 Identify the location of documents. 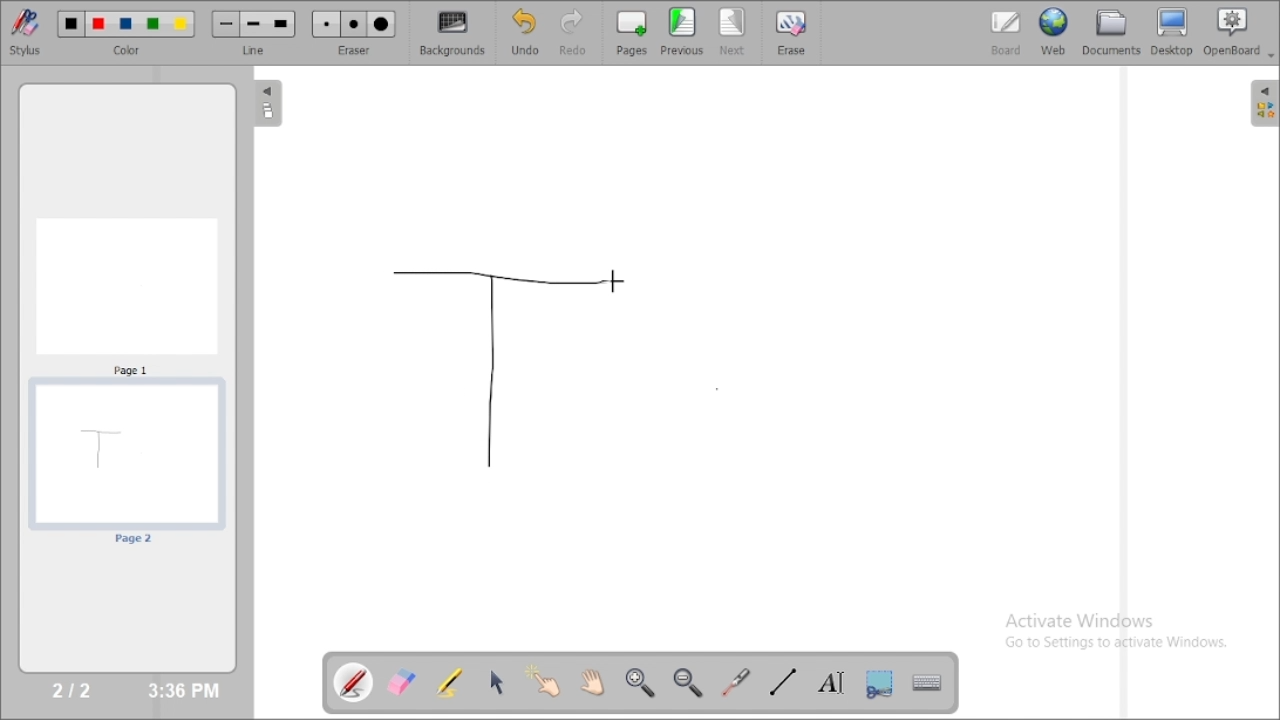
(1110, 31).